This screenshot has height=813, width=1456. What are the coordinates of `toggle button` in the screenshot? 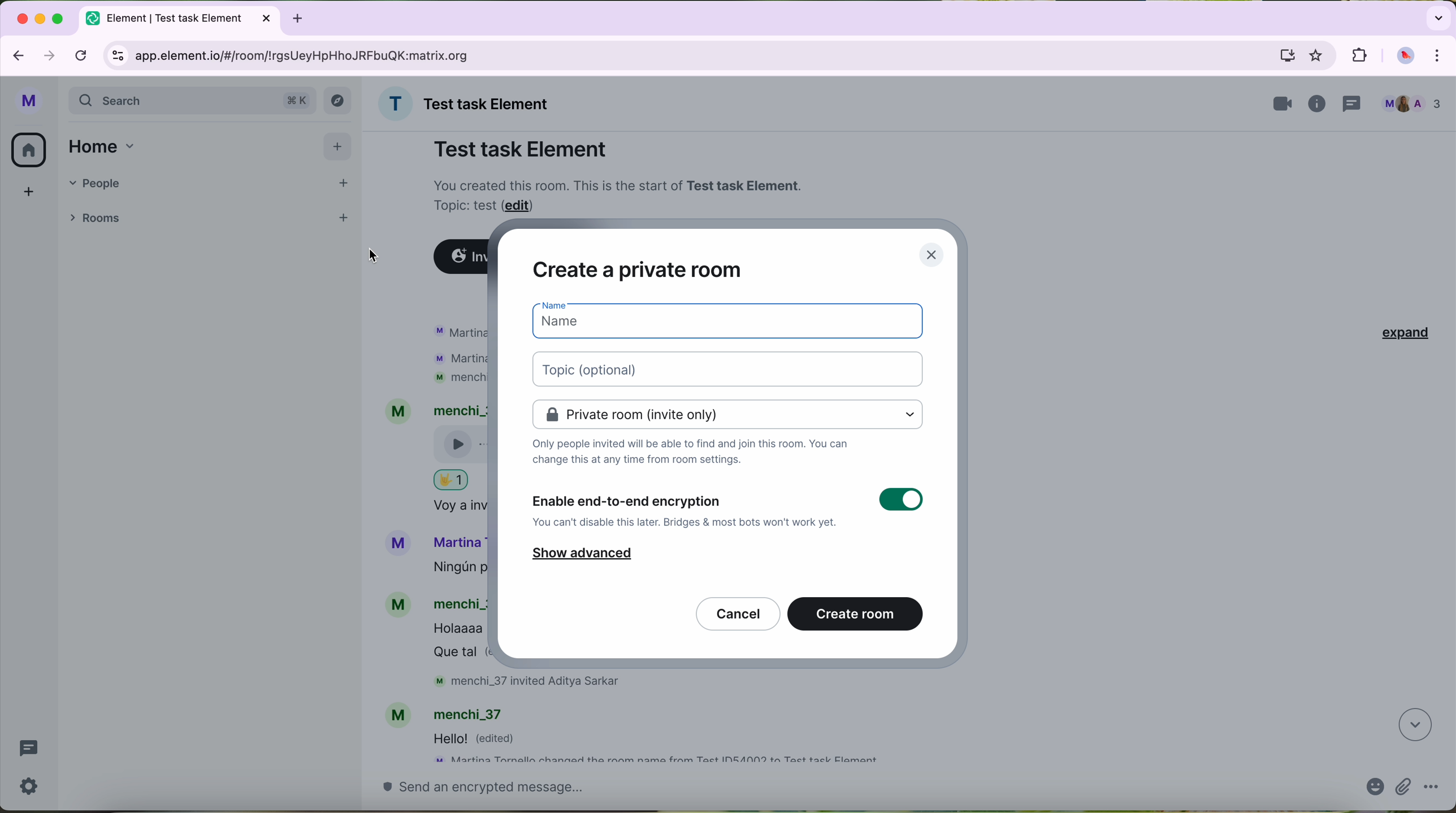 It's located at (900, 501).